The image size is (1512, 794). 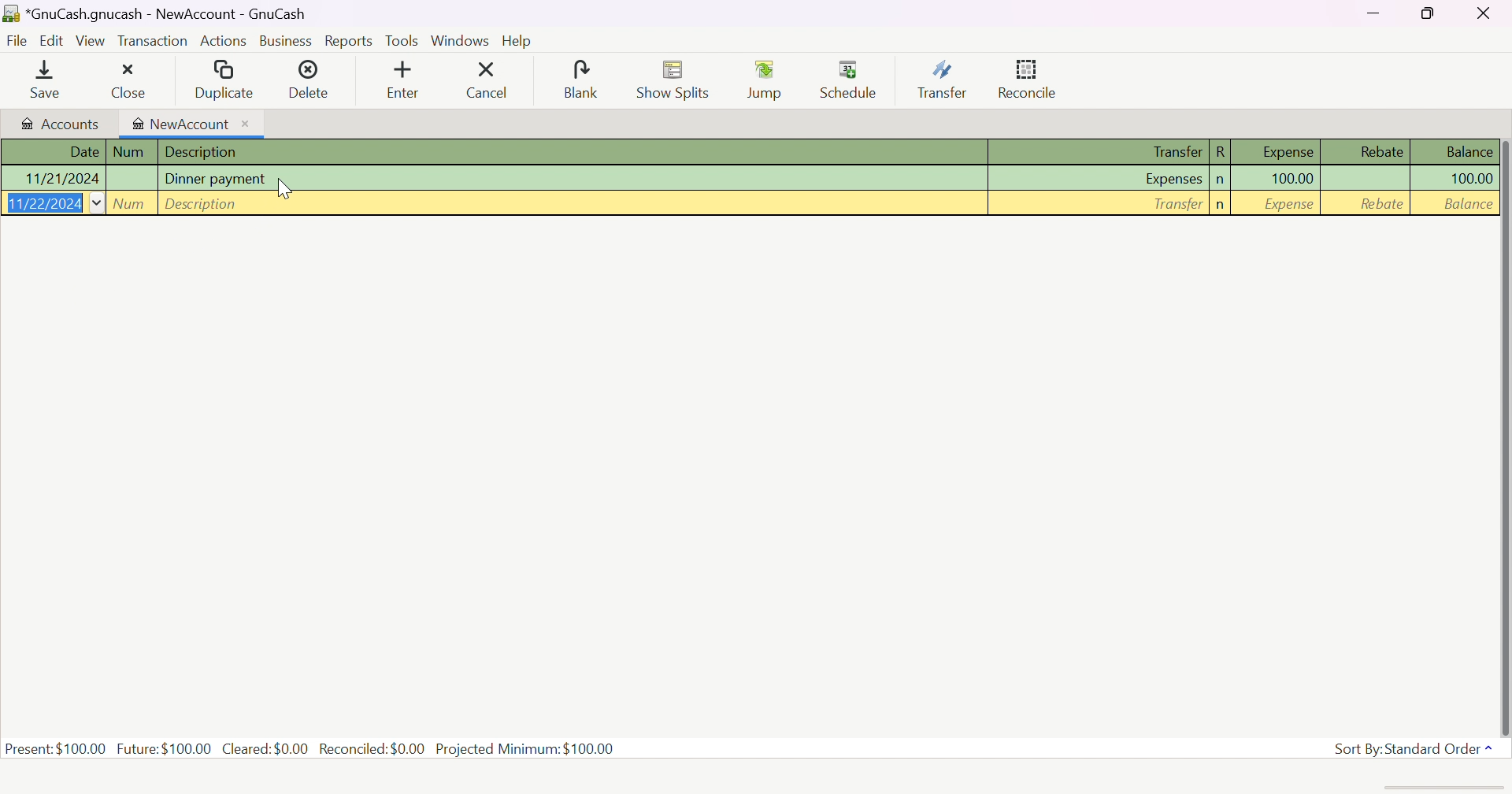 What do you see at coordinates (1221, 151) in the screenshot?
I see `R` at bounding box center [1221, 151].